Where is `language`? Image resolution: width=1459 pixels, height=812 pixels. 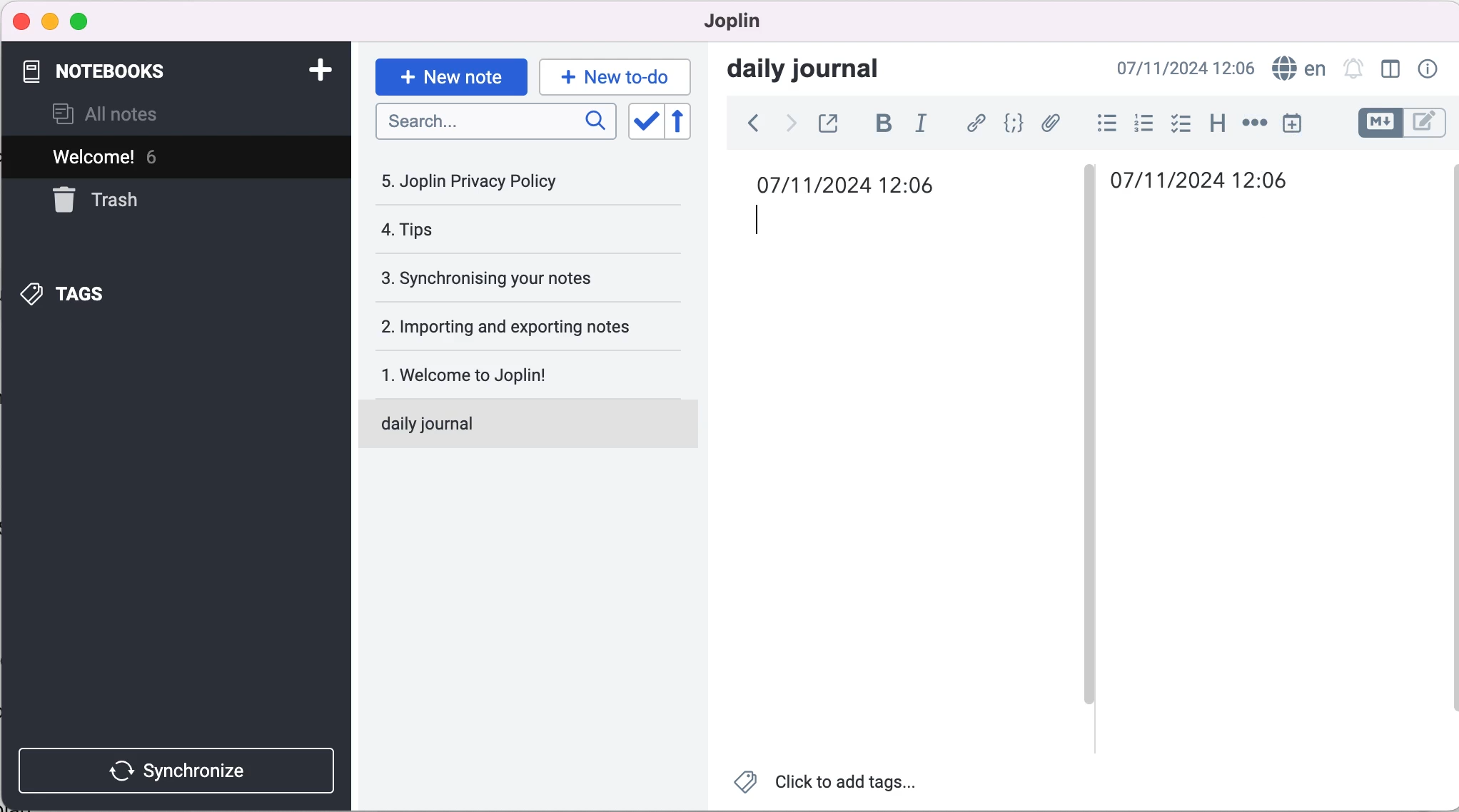 language is located at coordinates (1298, 70).